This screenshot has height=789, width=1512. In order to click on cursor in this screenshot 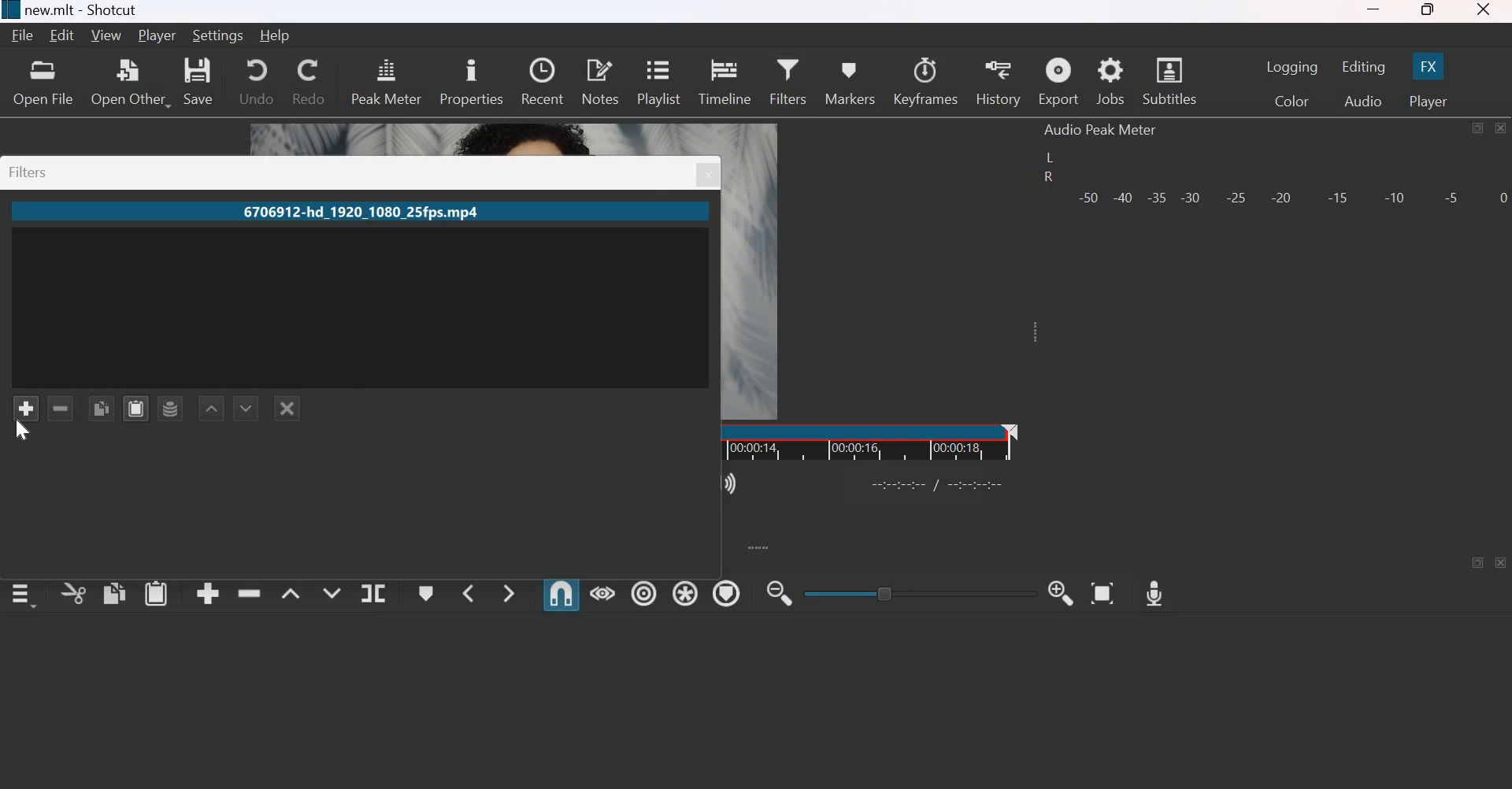, I will do `click(24, 433)`.